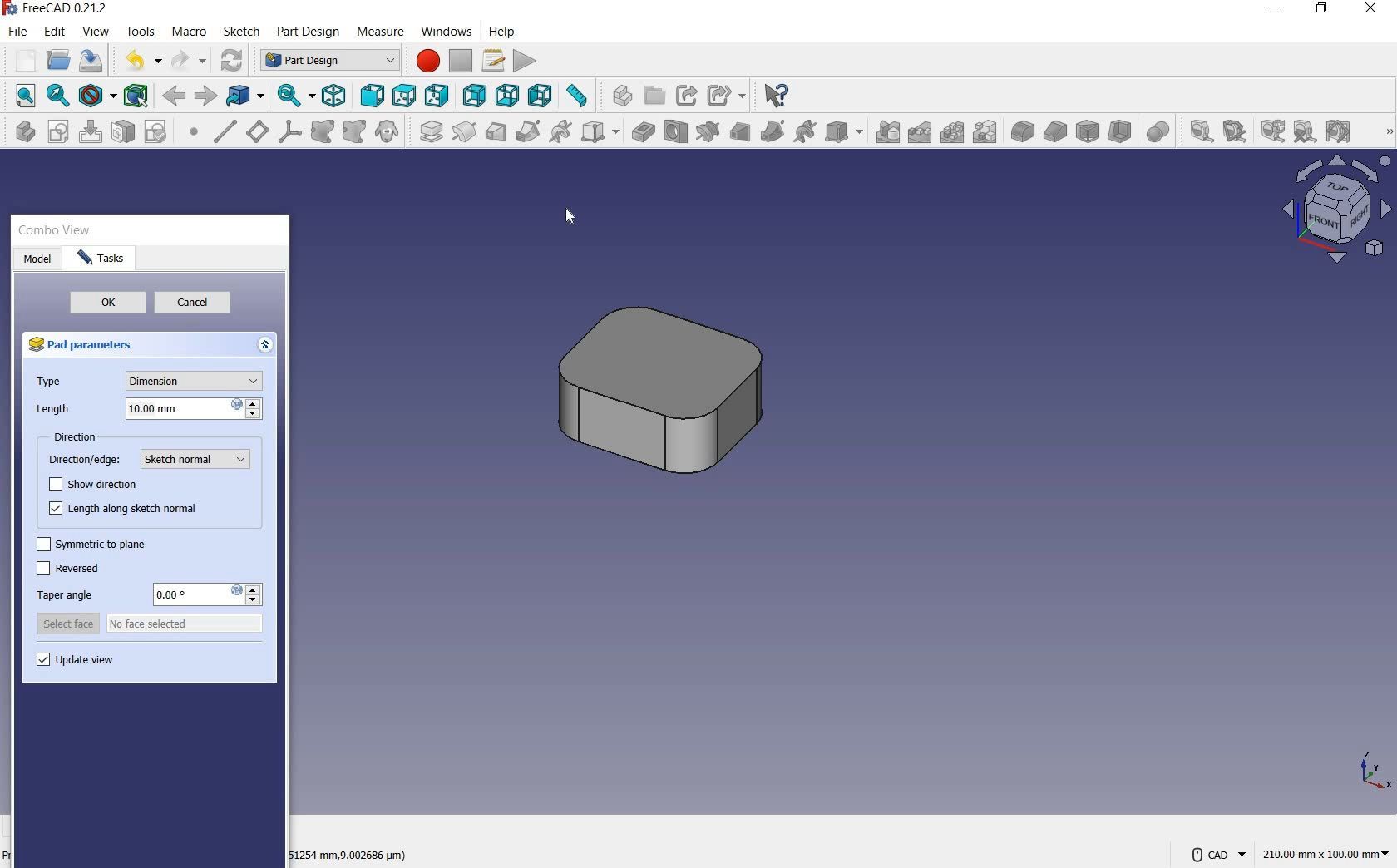 The height and width of the screenshot is (868, 1397). What do you see at coordinates (527, 132) in the screenshot?
I see `additive pipe` at bounding box center [527, 132].